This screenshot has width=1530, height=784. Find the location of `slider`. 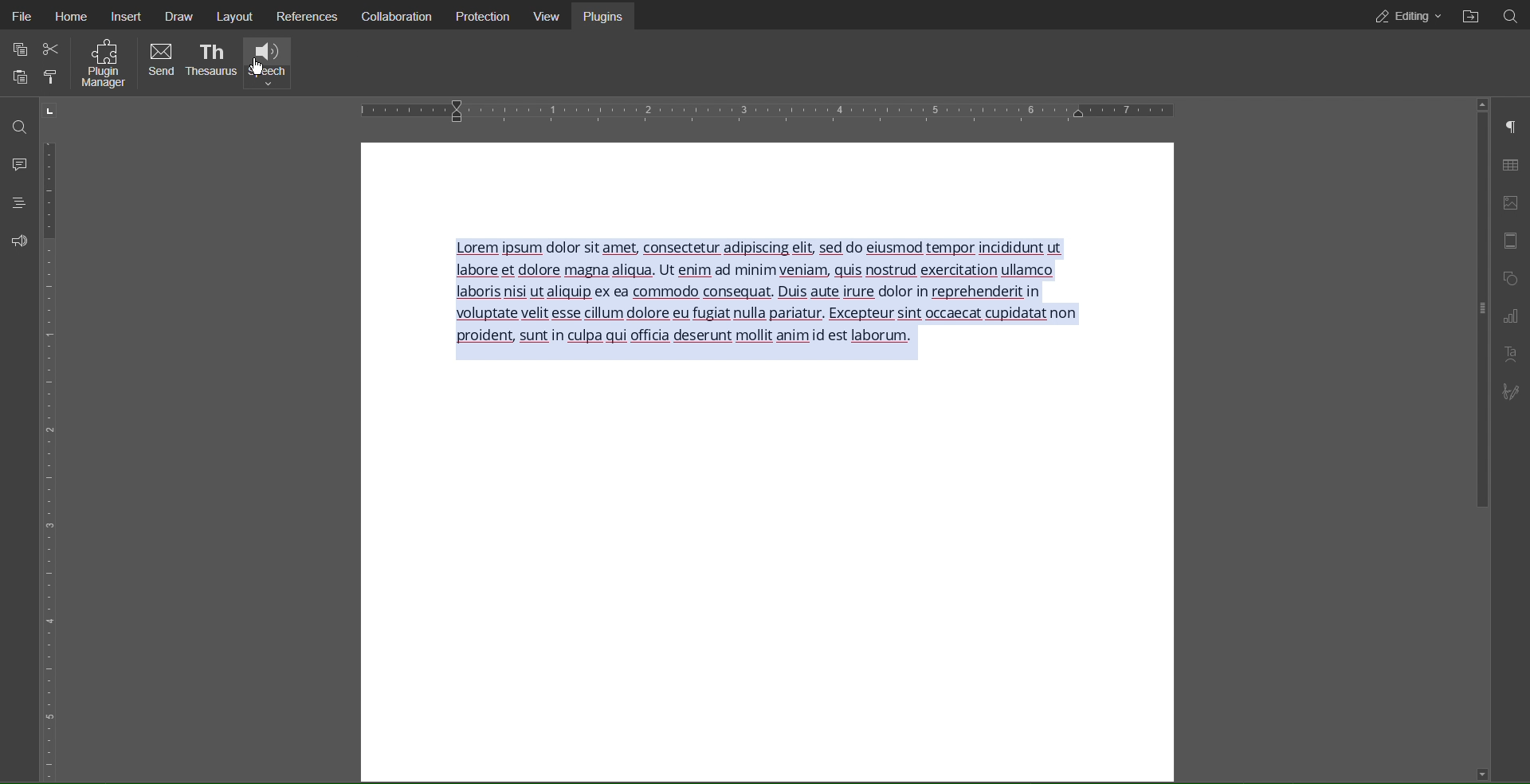

slider is located at coordinates (1475, 312).